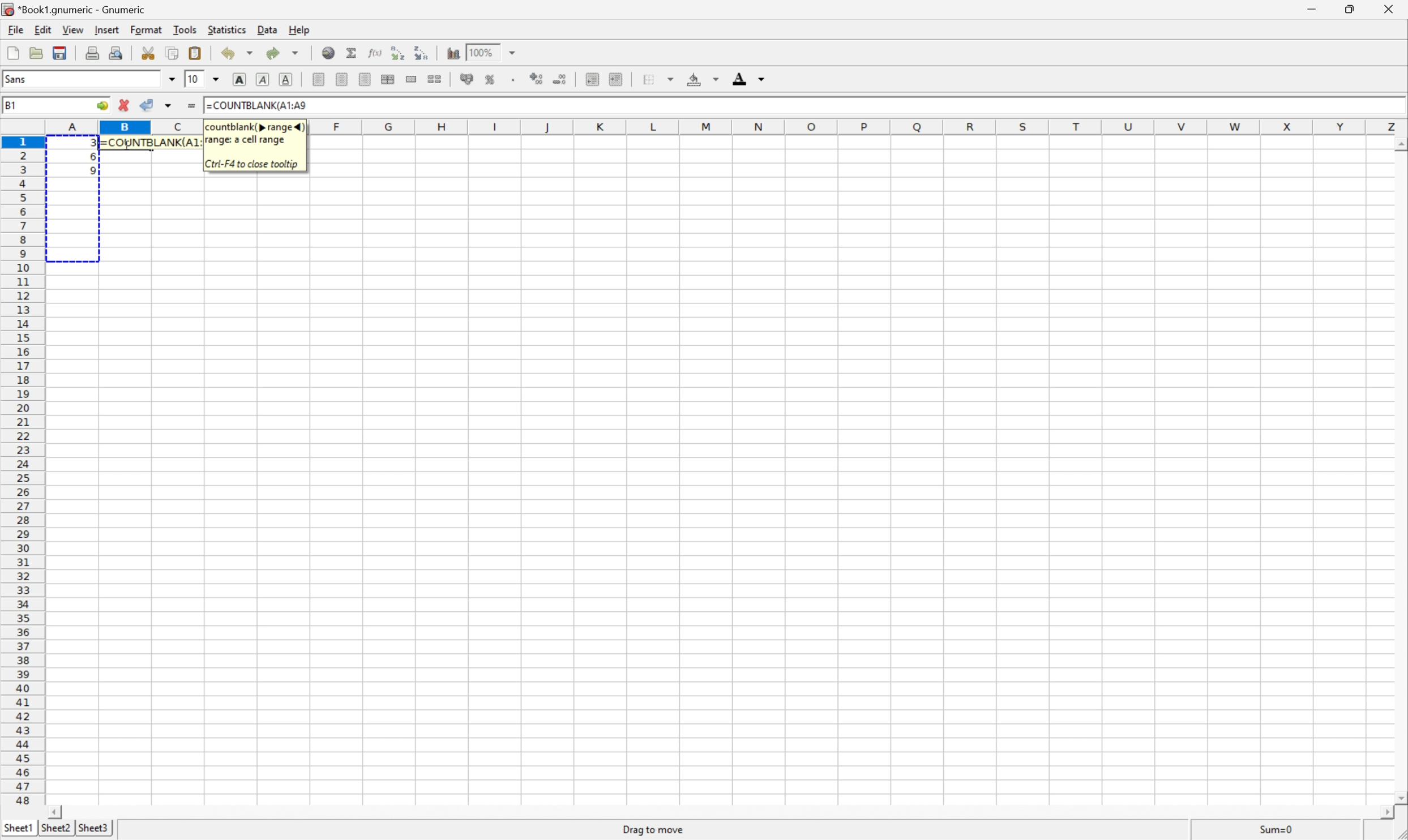 The image size is (1408, 840). I want to click on Edit, so click(42, 29).